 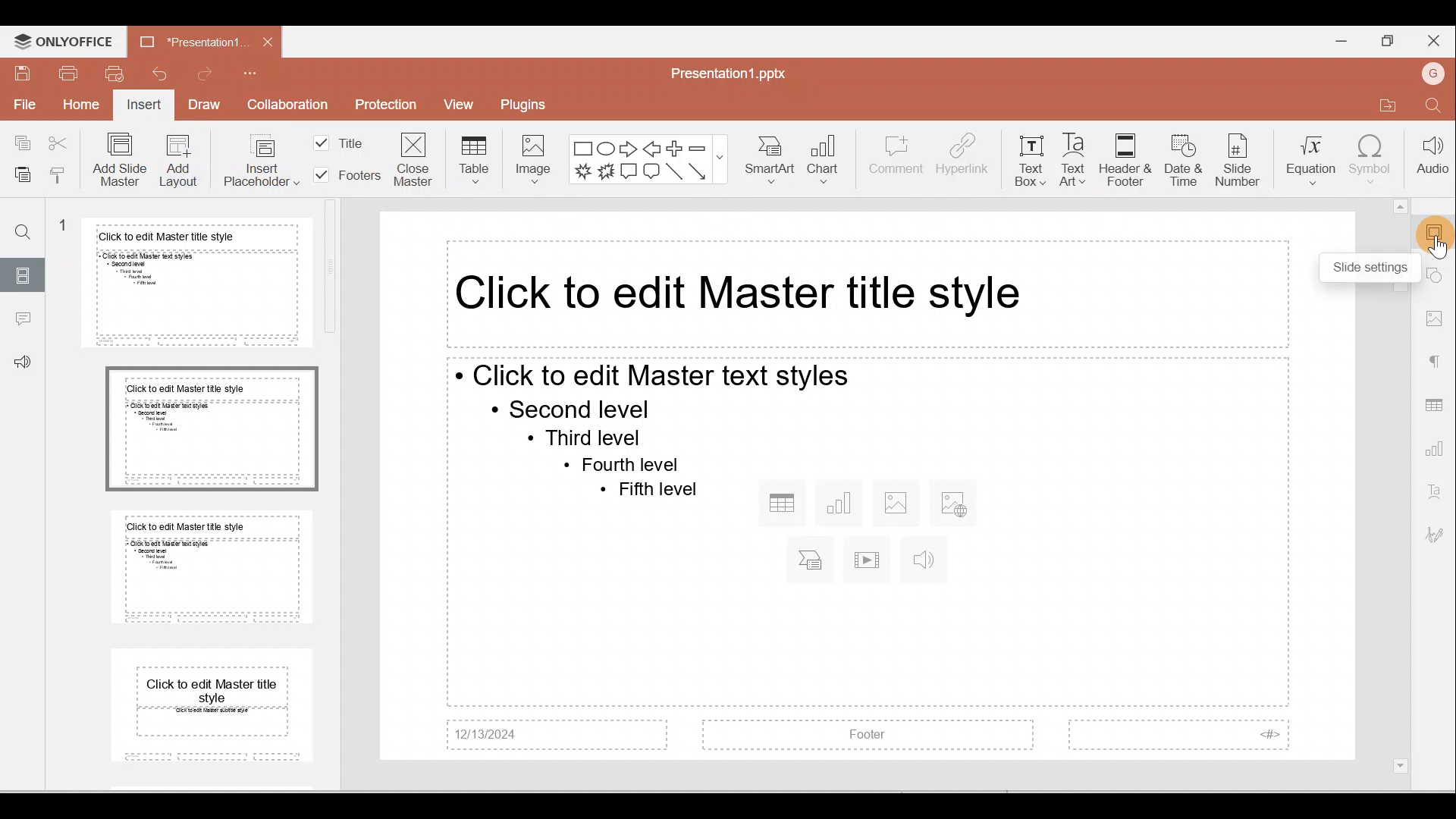 What do you see at coordinates (1437, 227) in the screenshot?
I see `Slide settings` at bounding box center [1437, 227].